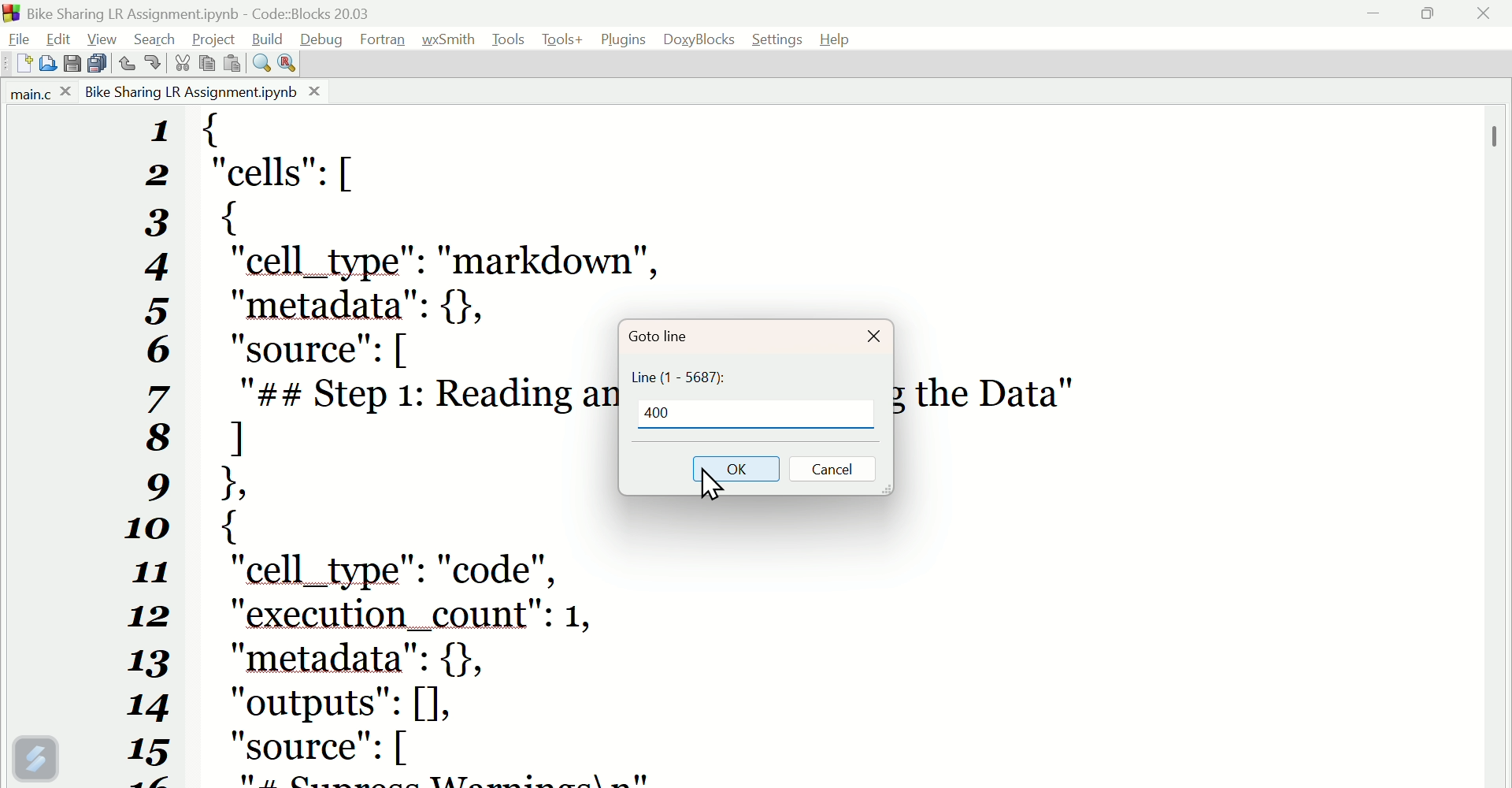 The width and height of the screenshot is (1512, 788). Describe the element at coordinates (874, 338) in the screenshot. I see `Close` at that location.